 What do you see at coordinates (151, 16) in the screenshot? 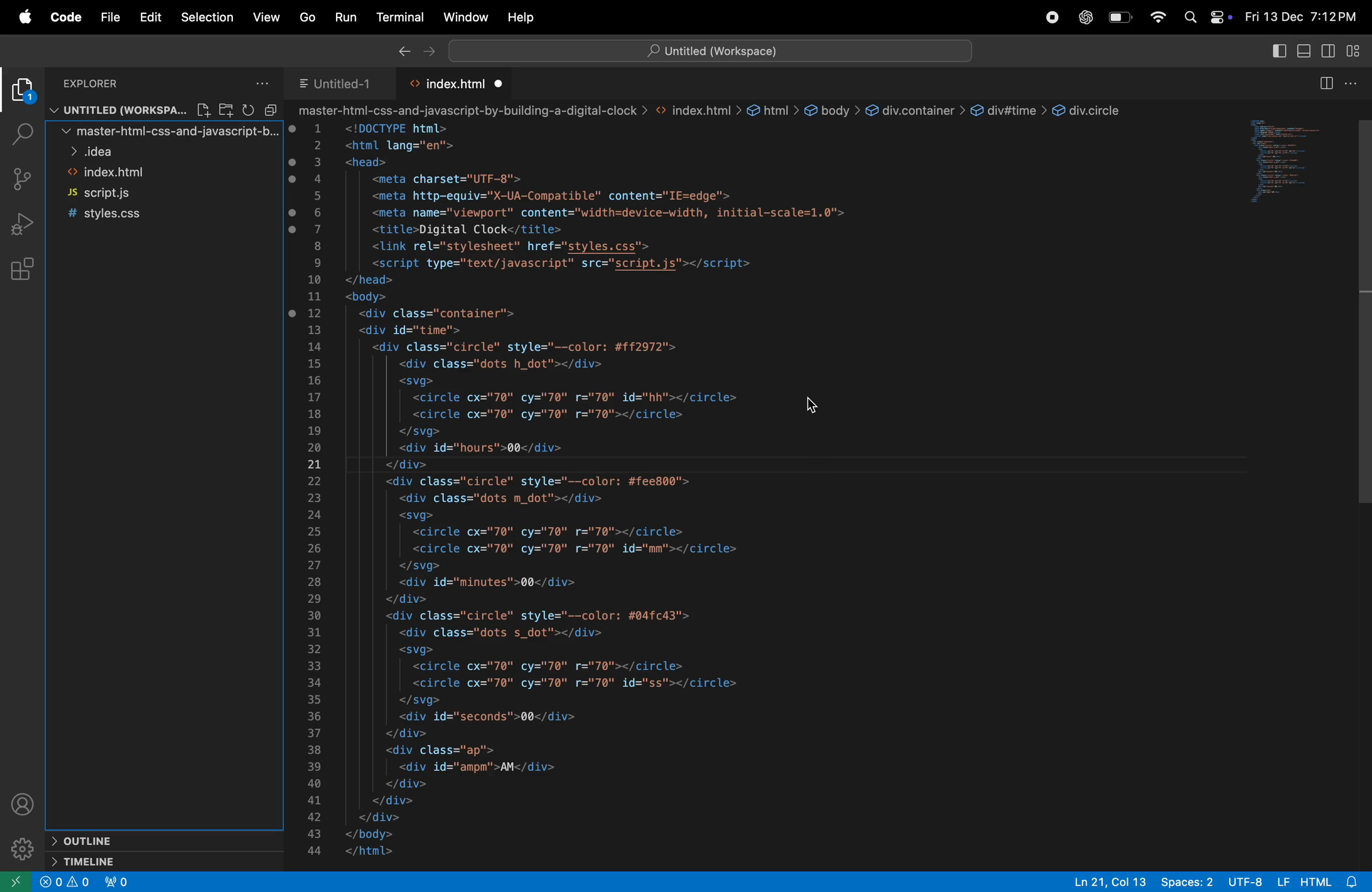
I see `edit` at bounding box center [151, 16].